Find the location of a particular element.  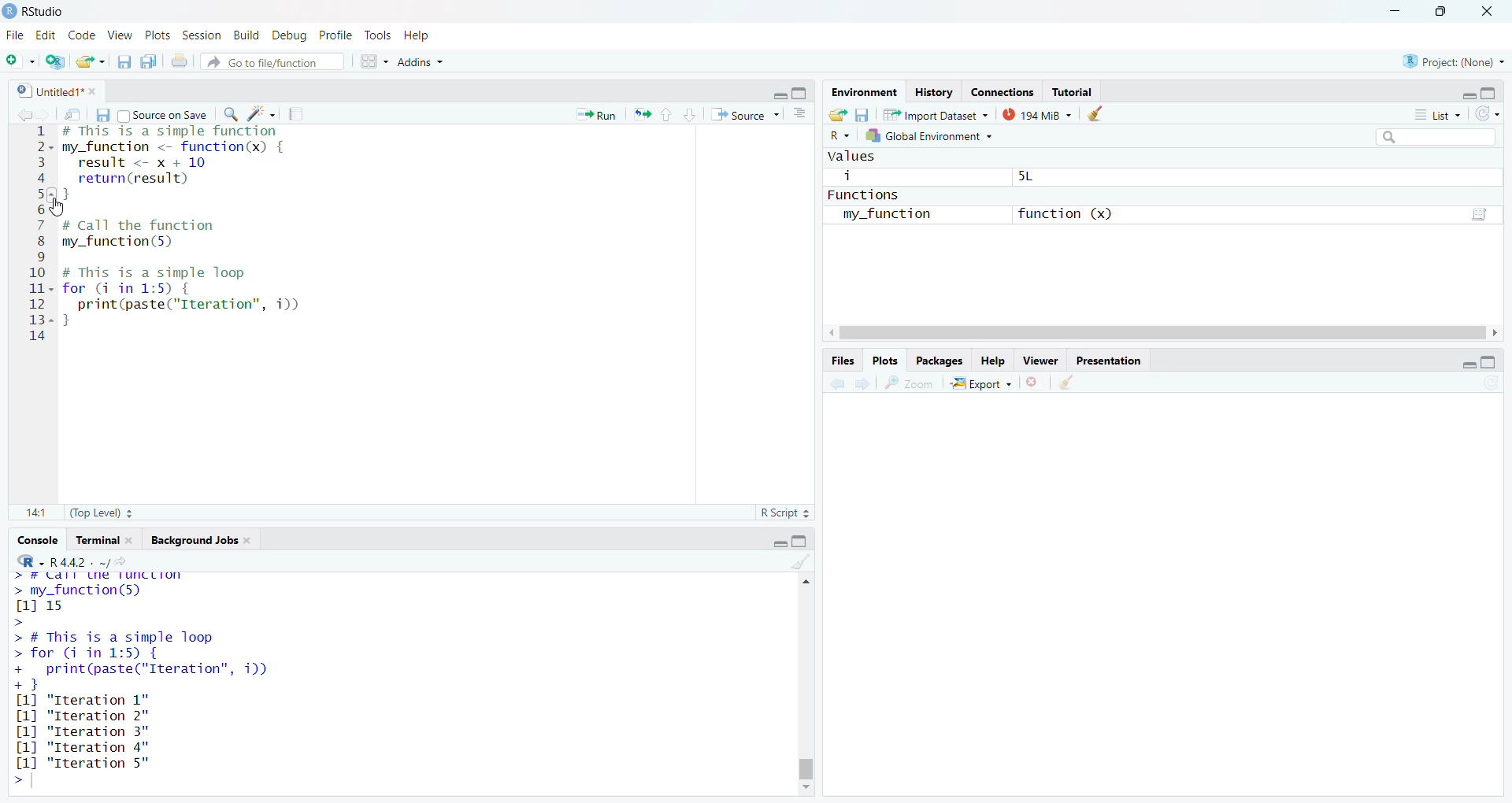

find/replace is located at coordinates (228, 114).